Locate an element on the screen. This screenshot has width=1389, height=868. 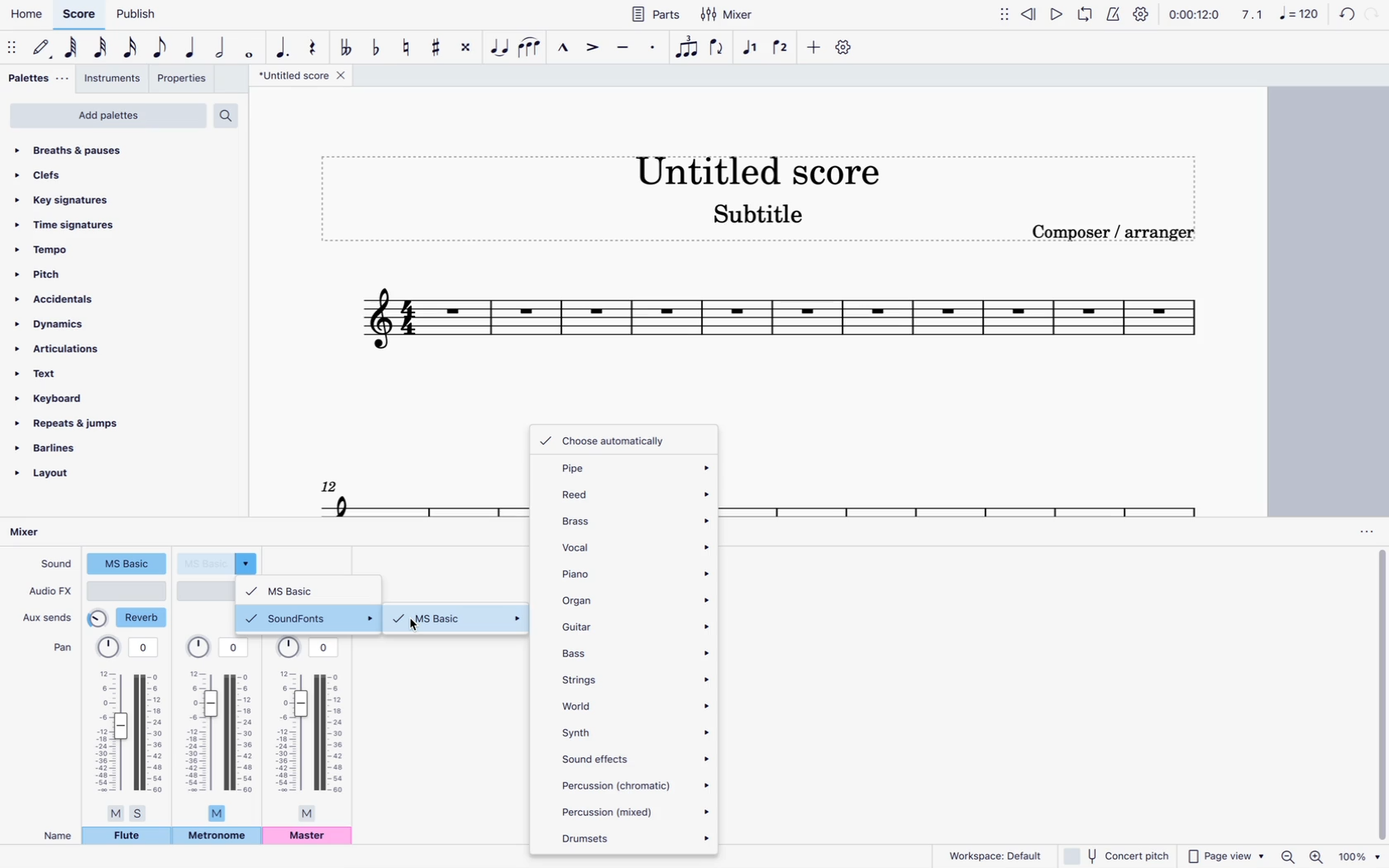
staccato is located at coordinates (652, 51).